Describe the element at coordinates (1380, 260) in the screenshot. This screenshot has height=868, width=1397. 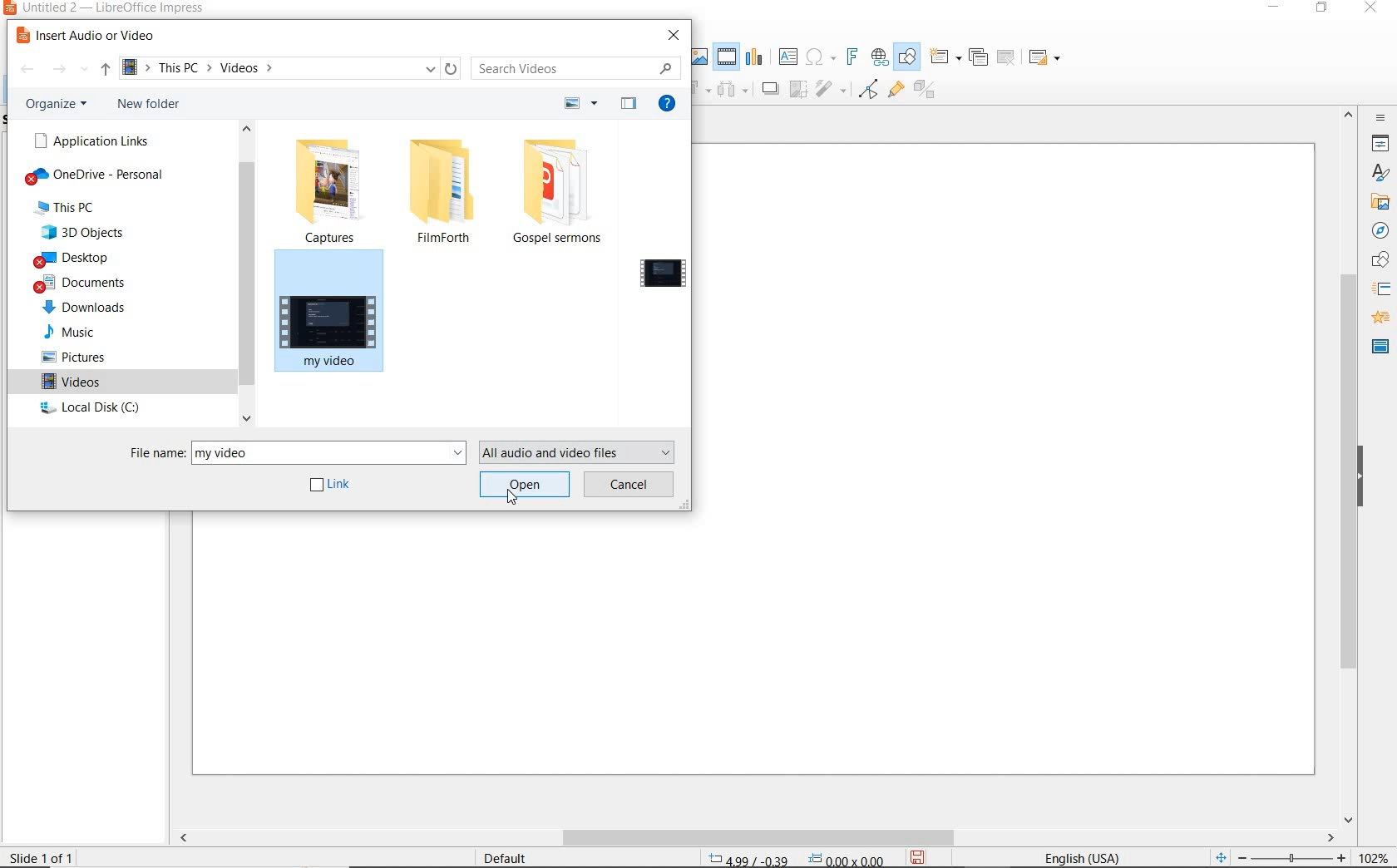
I see `shape` at that location.